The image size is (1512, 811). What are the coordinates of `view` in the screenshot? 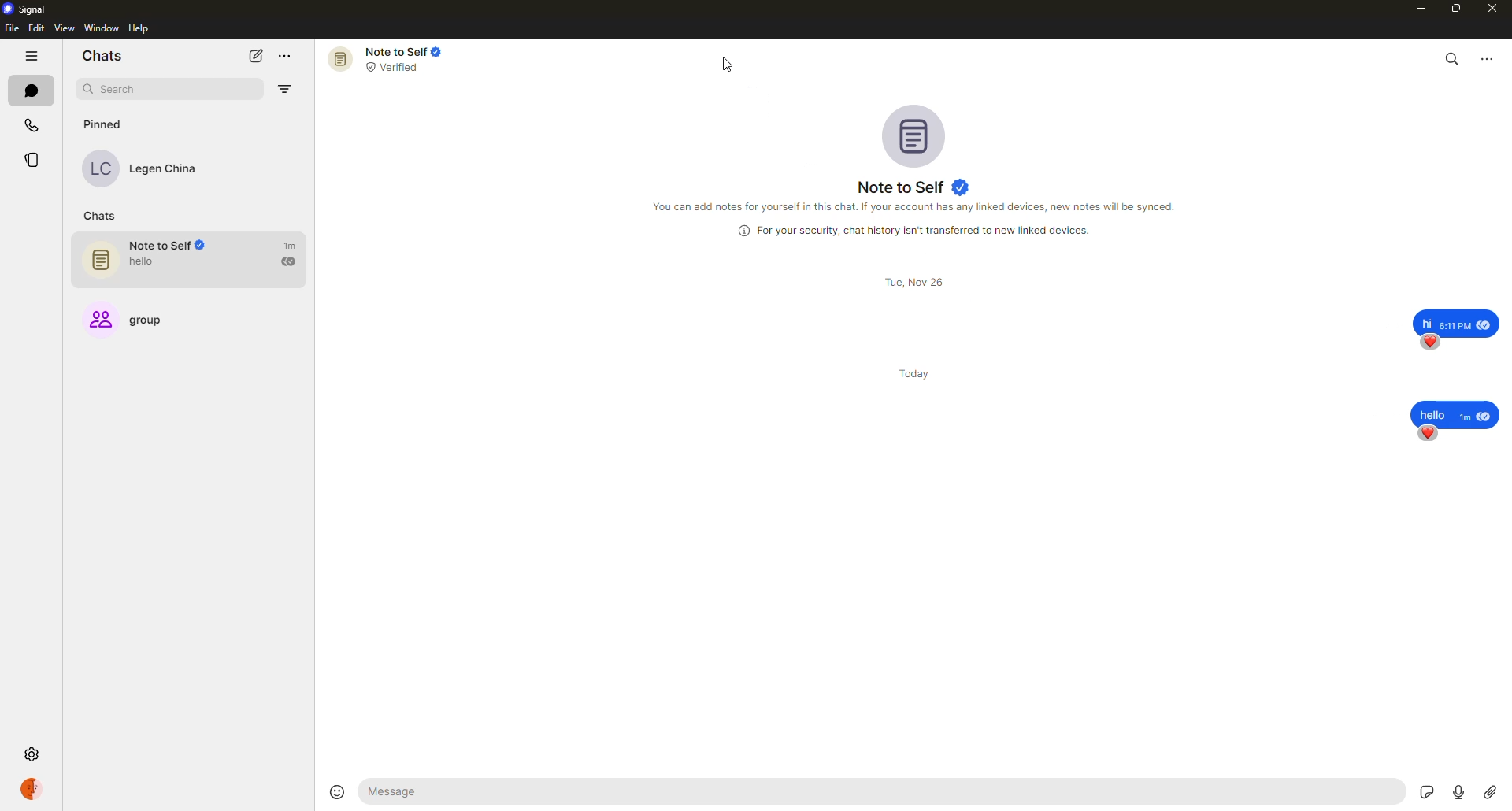 It's located at (64, 28).